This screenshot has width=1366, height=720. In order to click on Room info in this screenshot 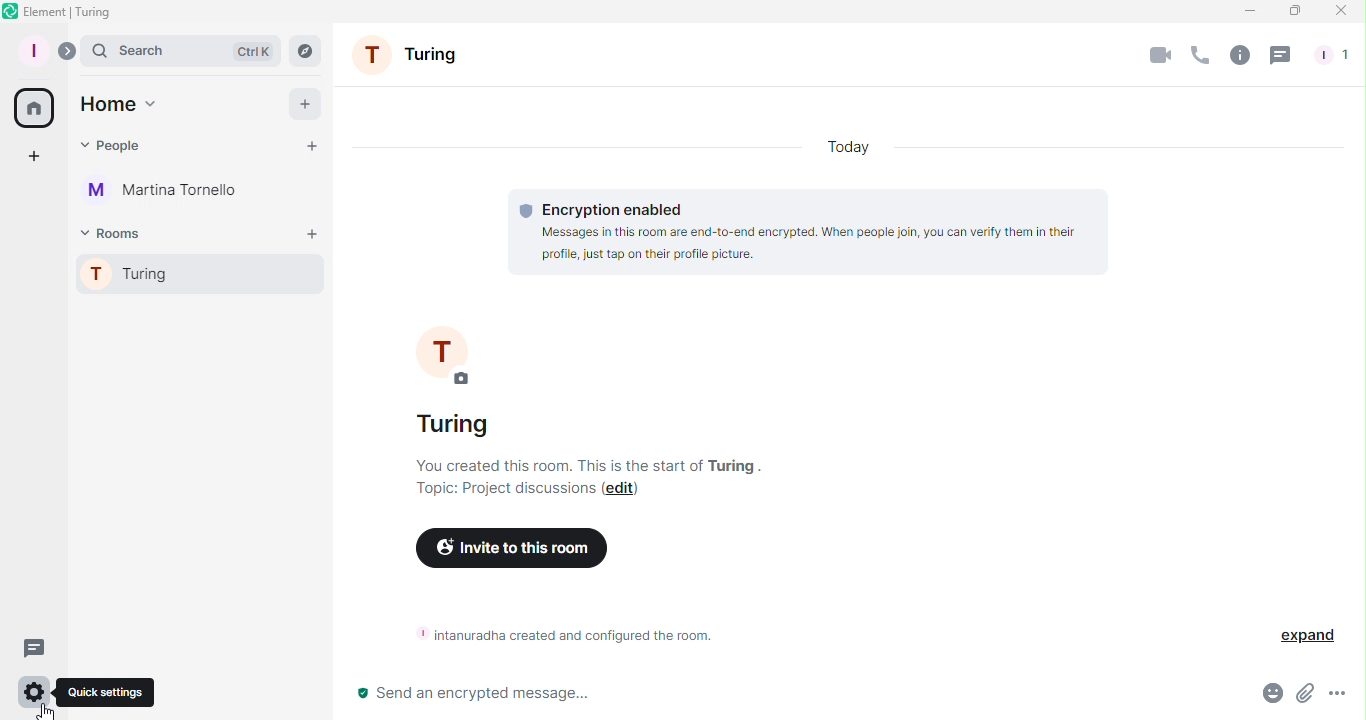, I will do `click(1237, 59)`.